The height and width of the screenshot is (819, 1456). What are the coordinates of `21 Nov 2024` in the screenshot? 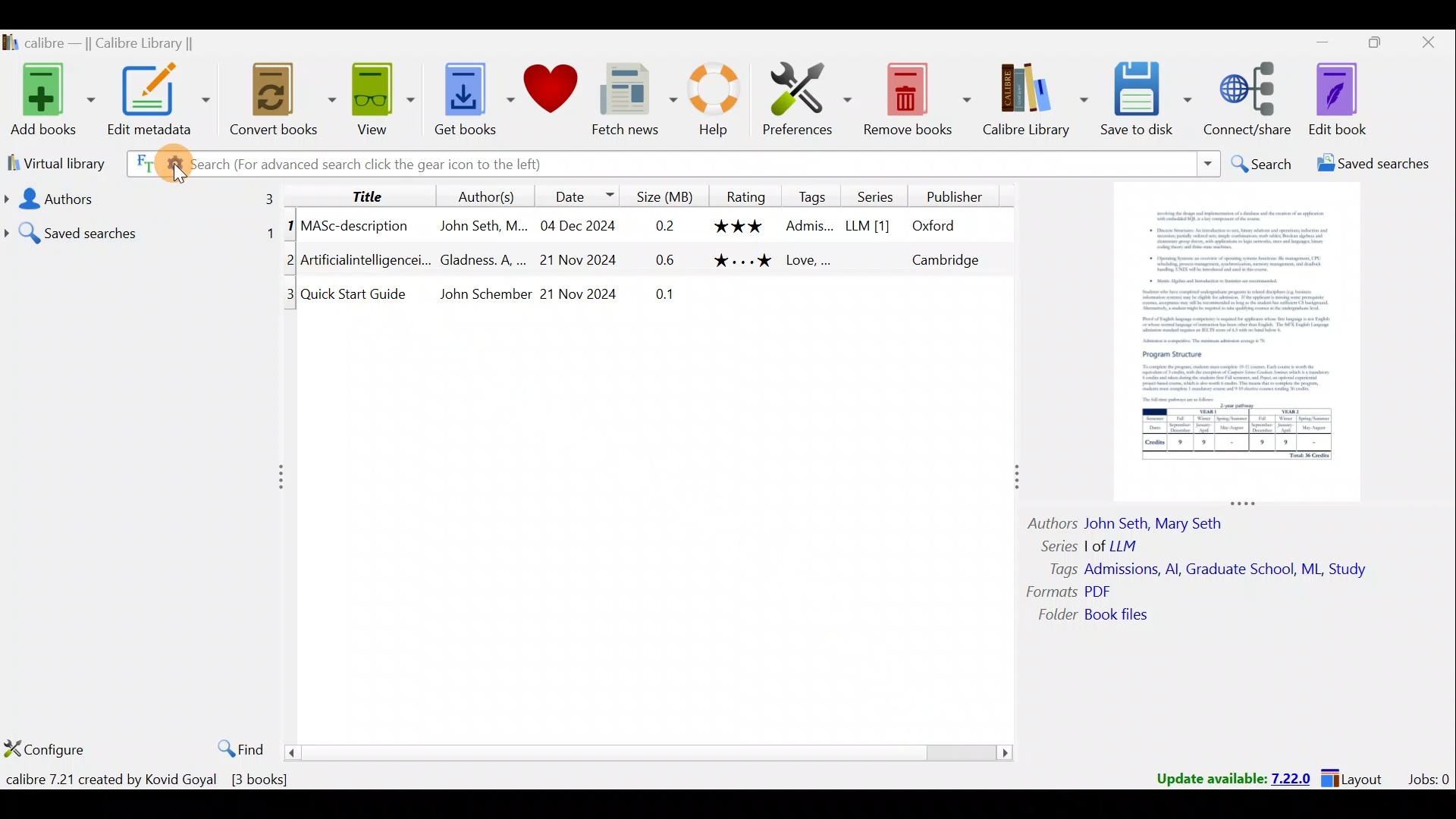 It's located at (583, 260).